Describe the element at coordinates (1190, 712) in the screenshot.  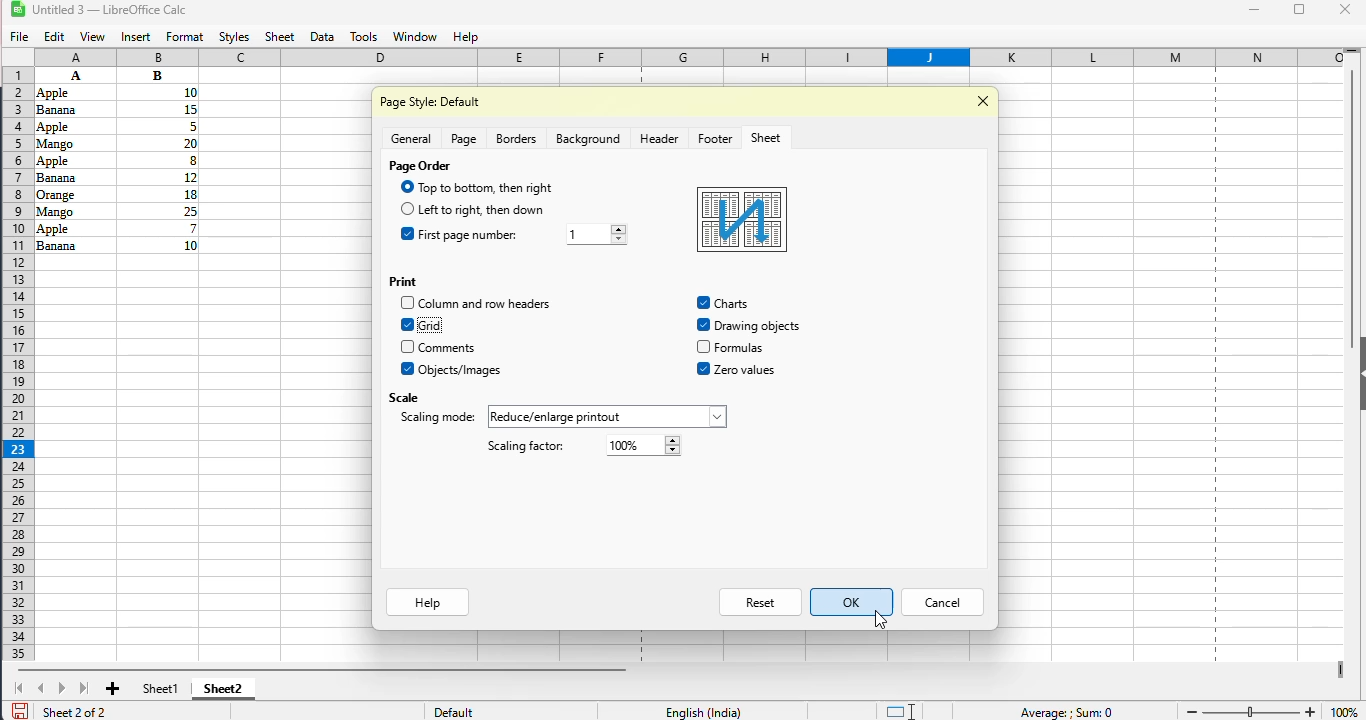
I see `zoom out` at that location.